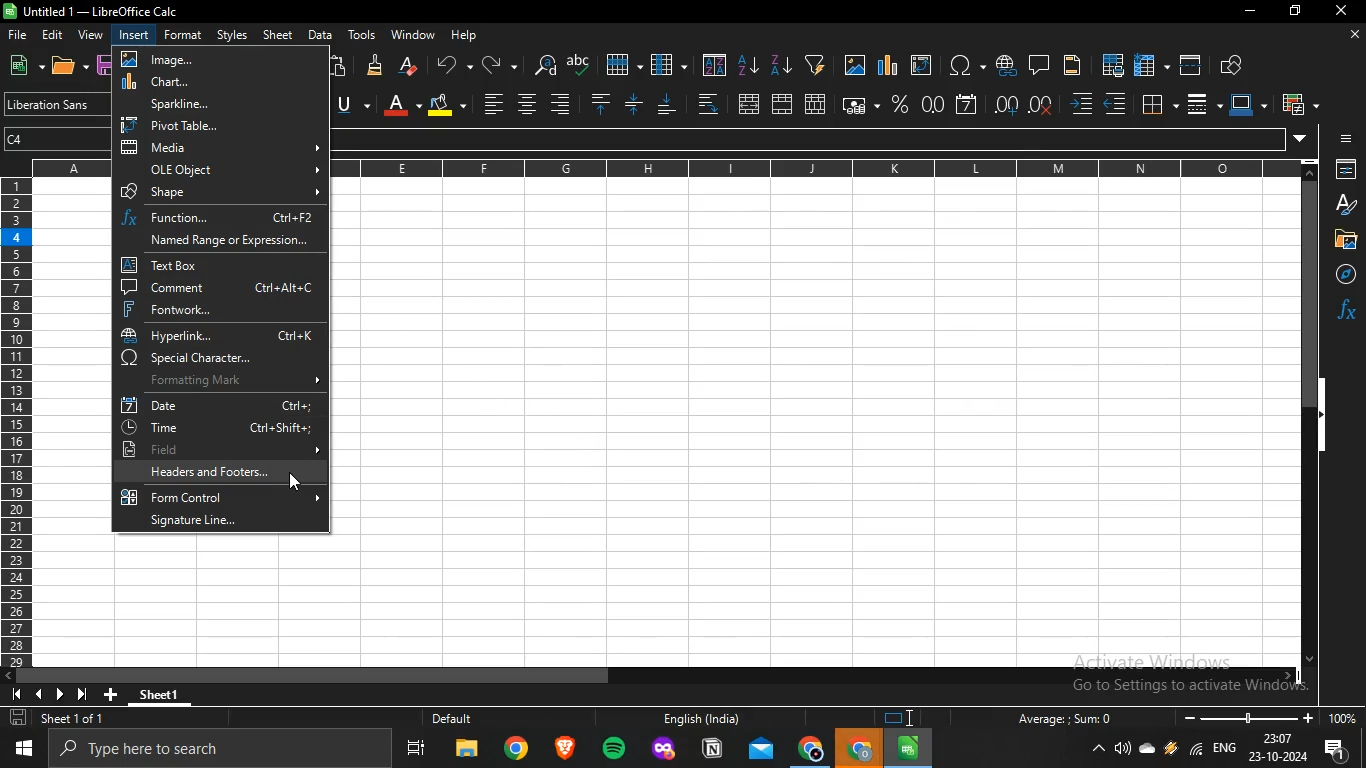 Image resolution: width=1366 pixels, height=768 pixels. What do you see at coordinates (1295, 12) in the screenshot?
I see `restore down` at bounding box center [1295, 12].